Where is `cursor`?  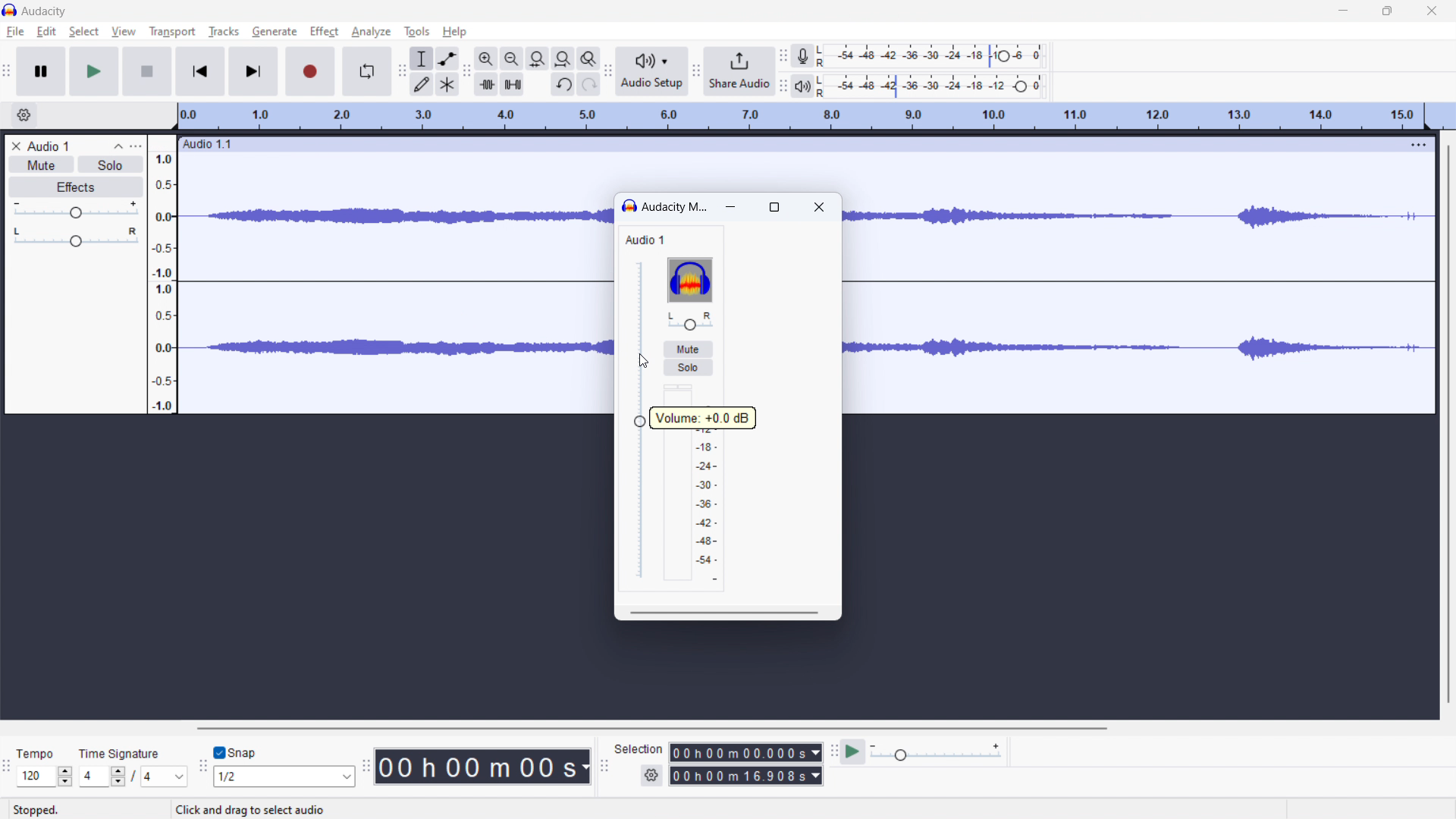 cursor is located at coordinates (639, 359).